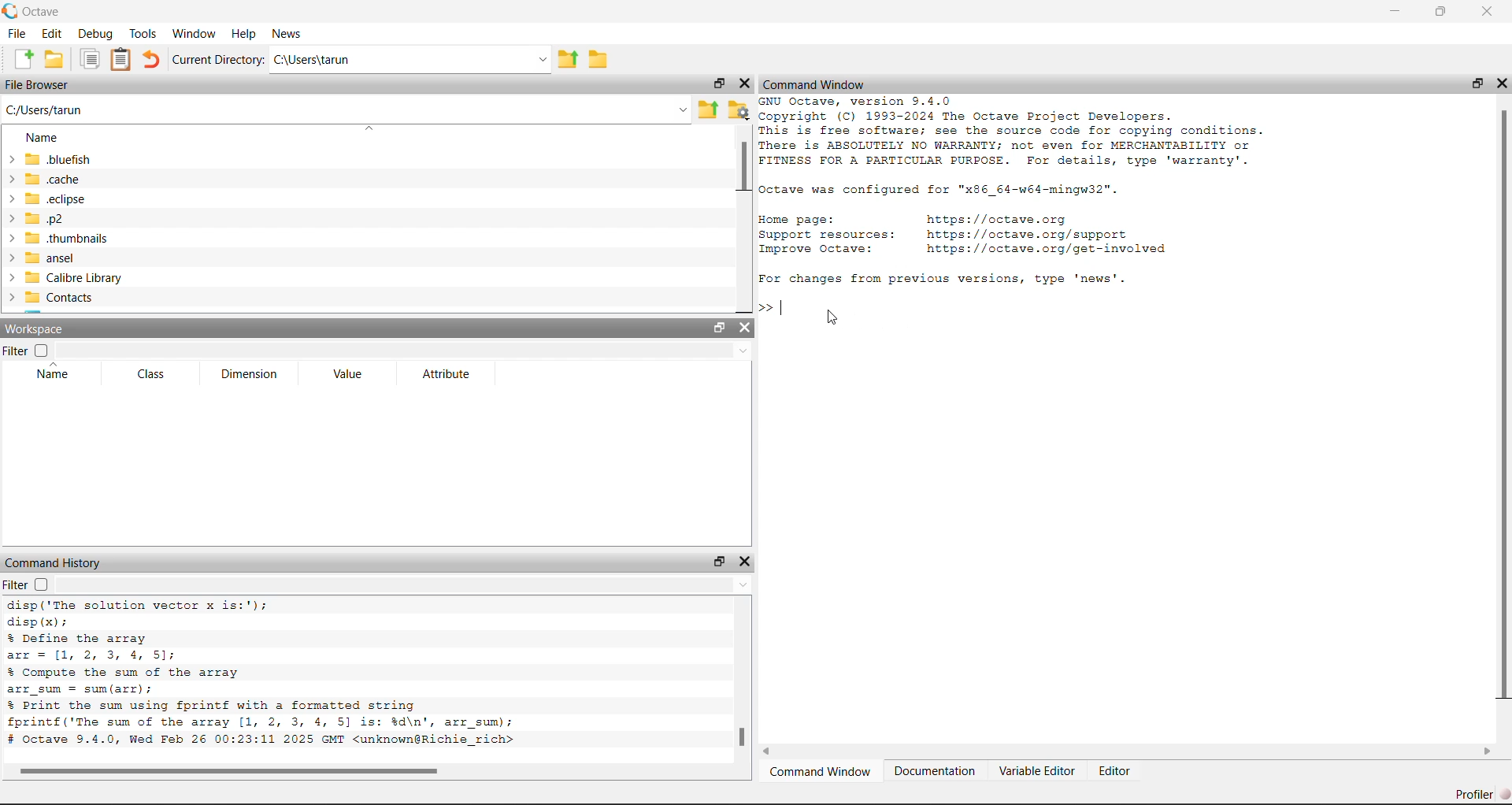 Image resolution: width=1512 pixels, height=805 pixels. What do you see at coordinates (50, 220) in the screenshot?
I see `p2` at bounding box center [50, 220].